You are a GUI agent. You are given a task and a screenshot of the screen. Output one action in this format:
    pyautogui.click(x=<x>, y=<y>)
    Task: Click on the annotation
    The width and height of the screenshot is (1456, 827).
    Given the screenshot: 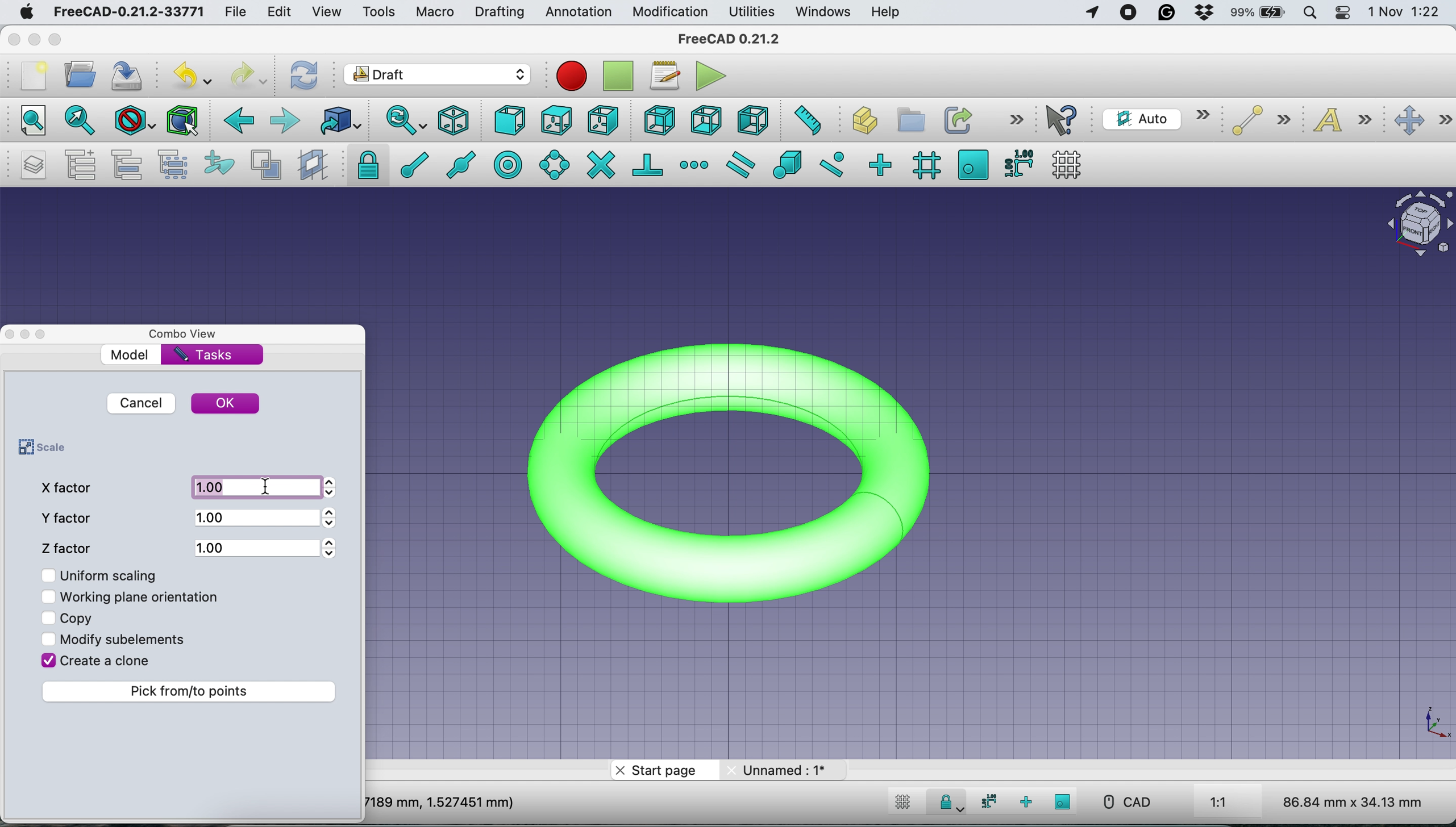 What is the action you would take?
    pyautogui.click(x=578, y=12)
    